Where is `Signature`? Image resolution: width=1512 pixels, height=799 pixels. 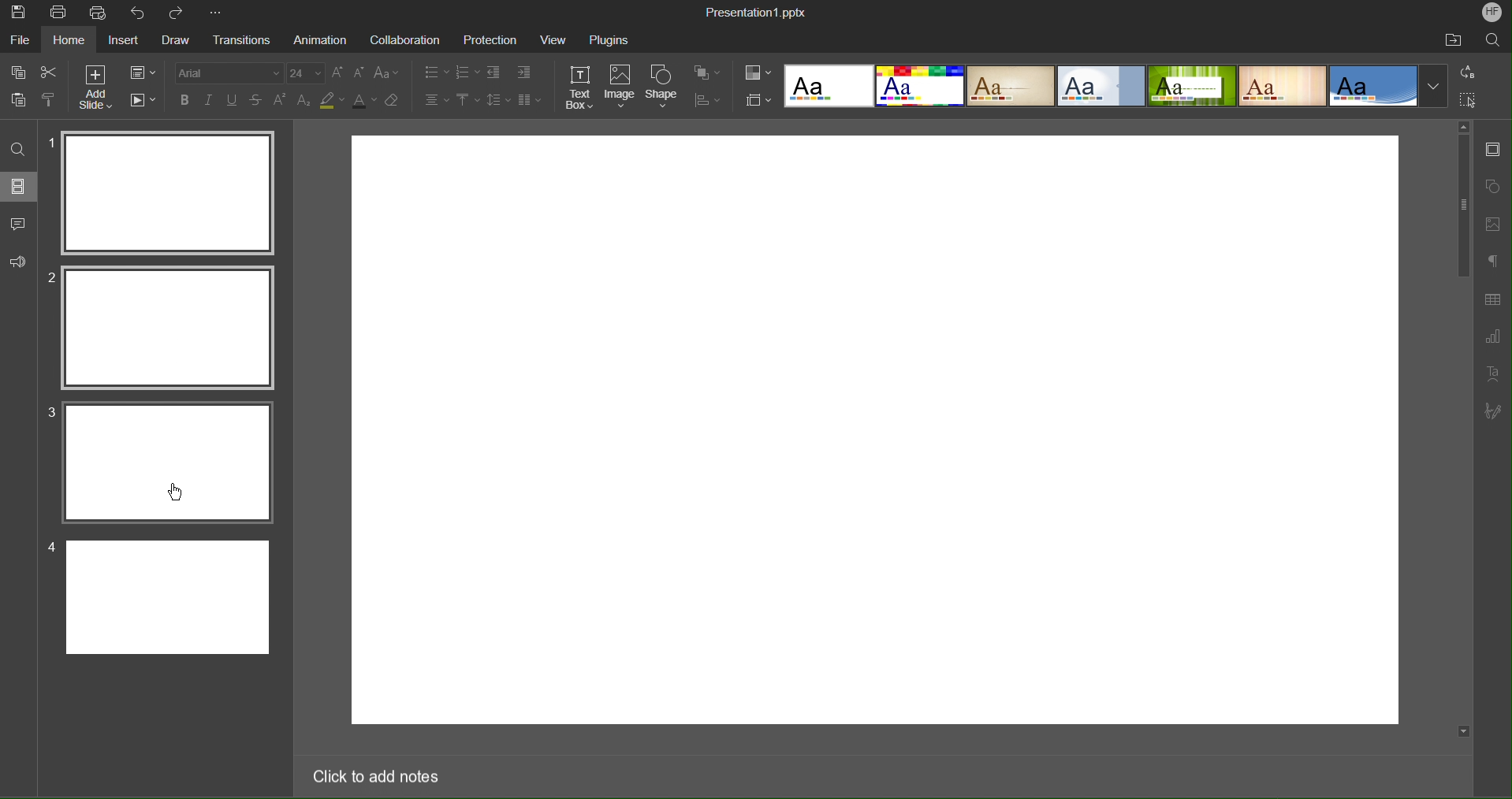
Signature is located at coordinates (1496, 411).